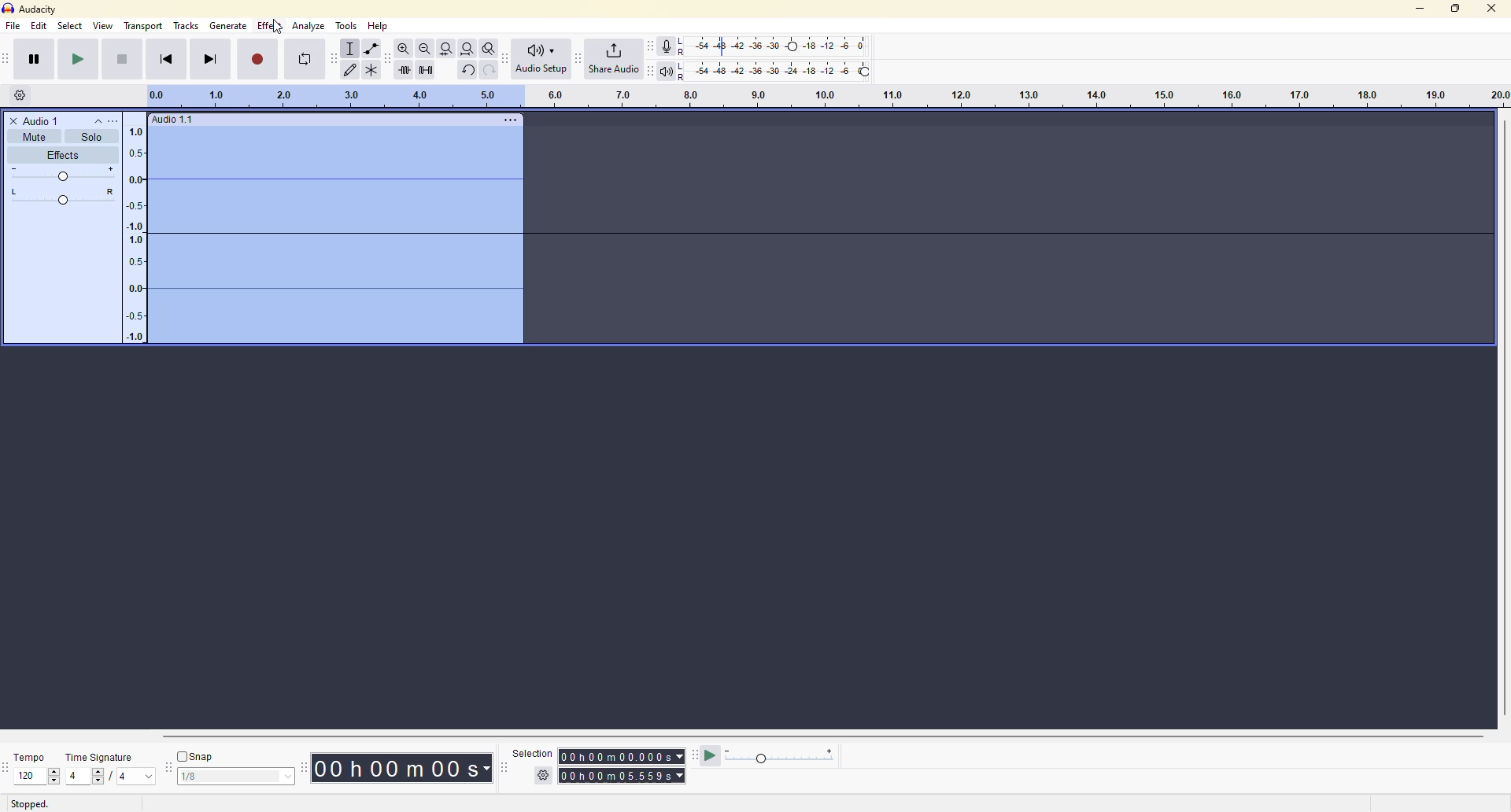 The width and height of the screenshot is (1511, 812). What do you see at coordinates (54, 770) in the screenshot?
I see `up` at bounding box center [54, 770].